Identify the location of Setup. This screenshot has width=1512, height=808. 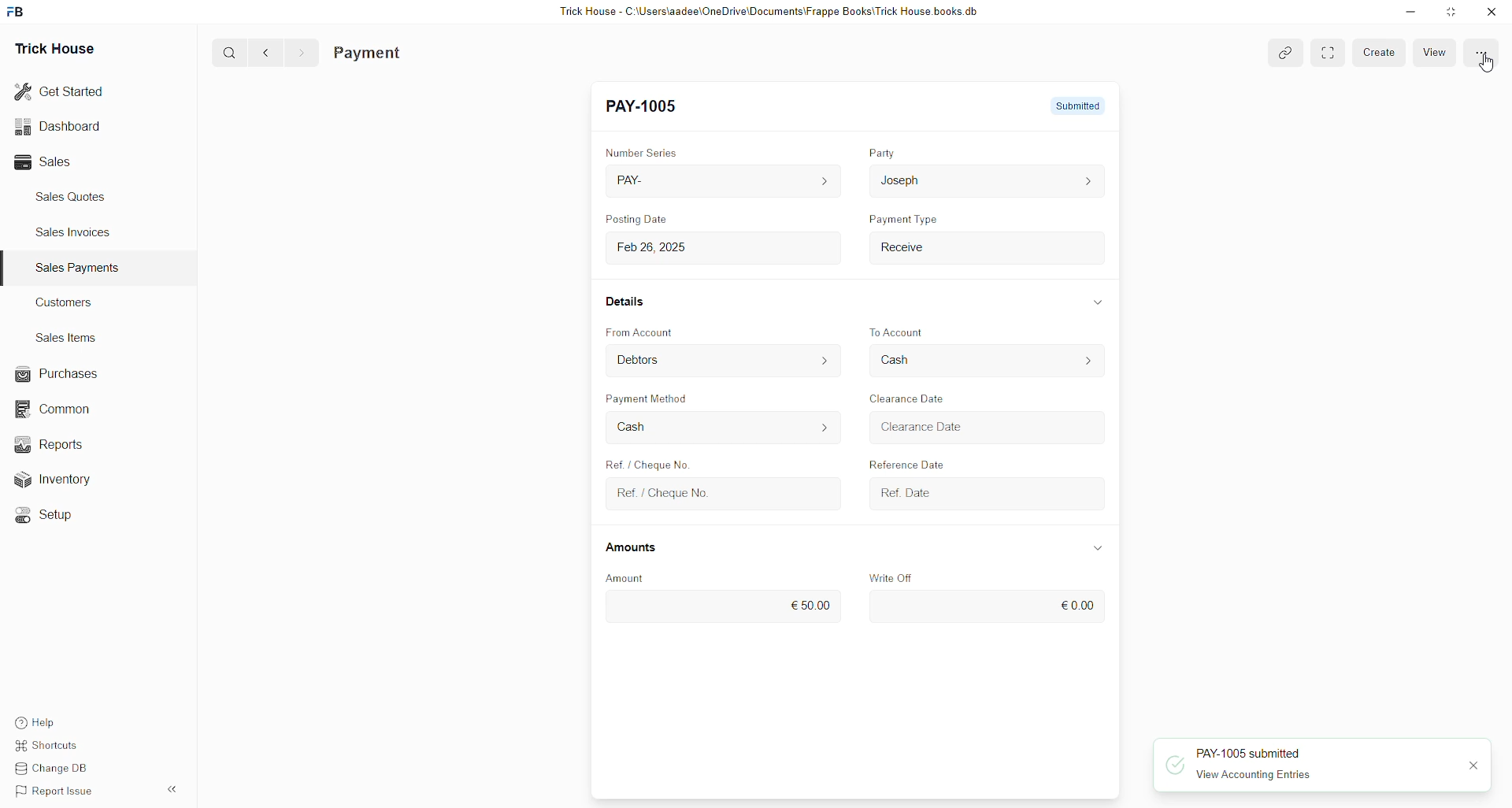
(51, 517).